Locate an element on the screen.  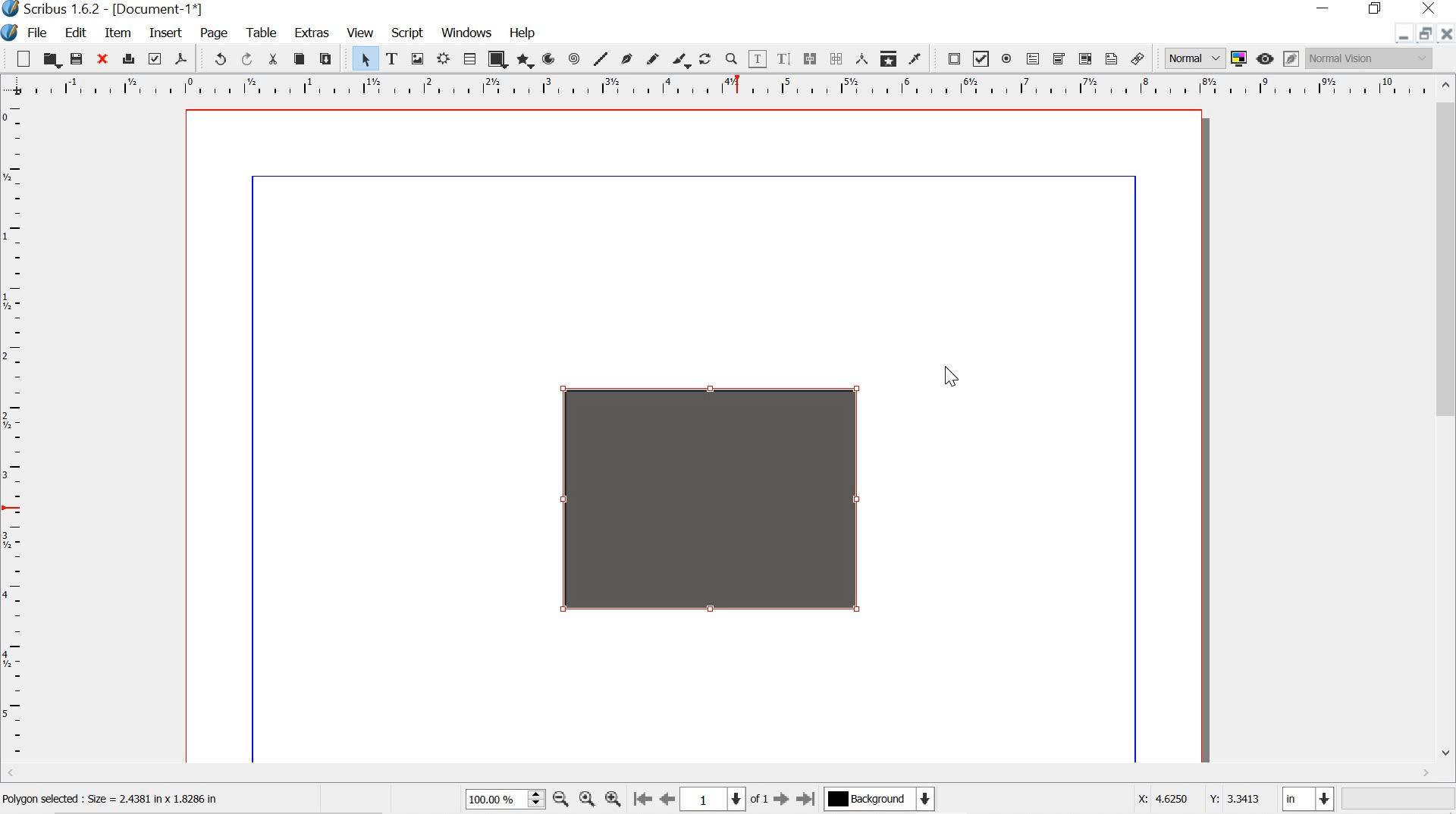
minimize is located at coordinates (1401, 36).